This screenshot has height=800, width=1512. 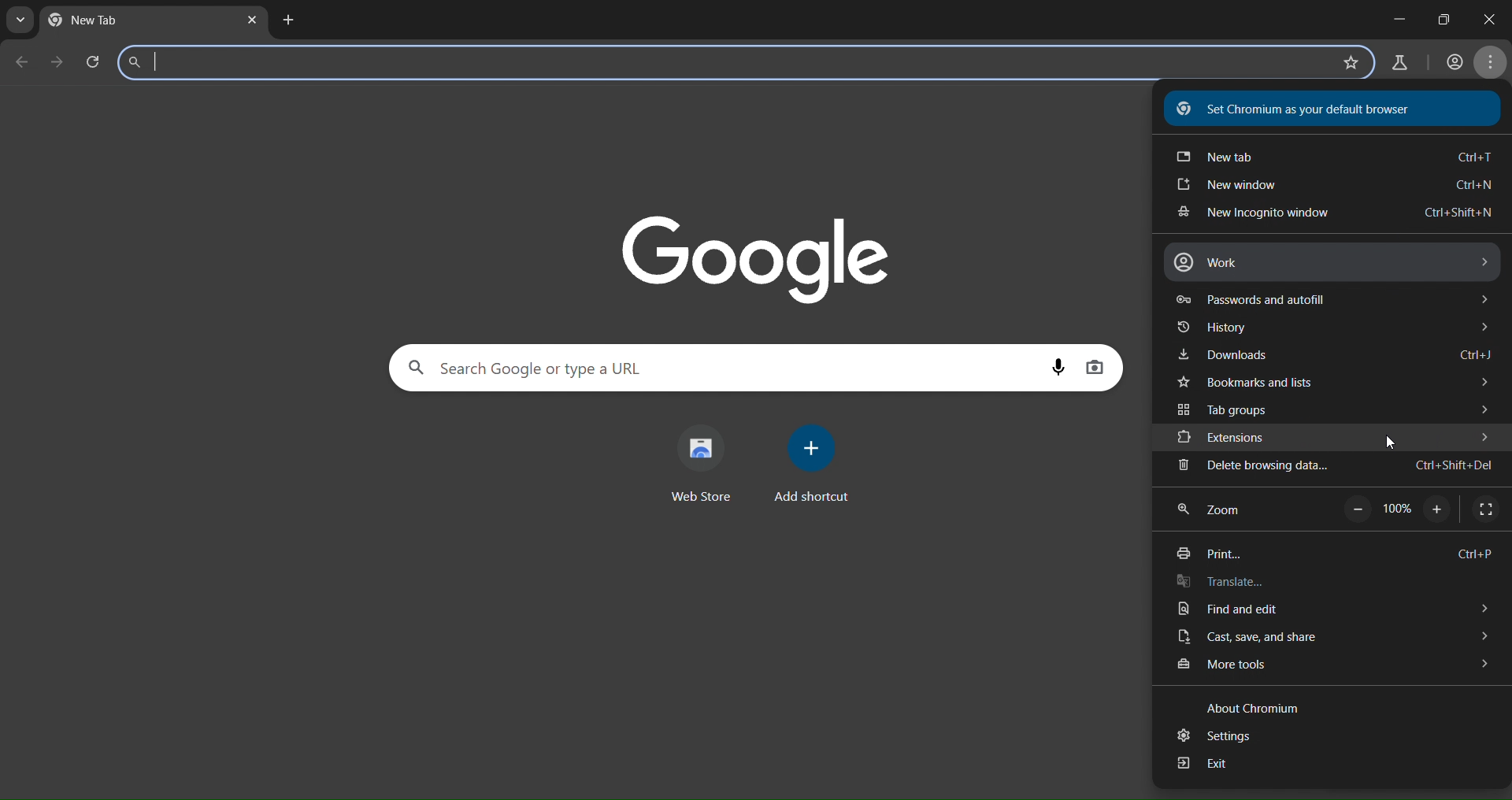 I want to click on bookmark page, so click(x=1354, y=65).